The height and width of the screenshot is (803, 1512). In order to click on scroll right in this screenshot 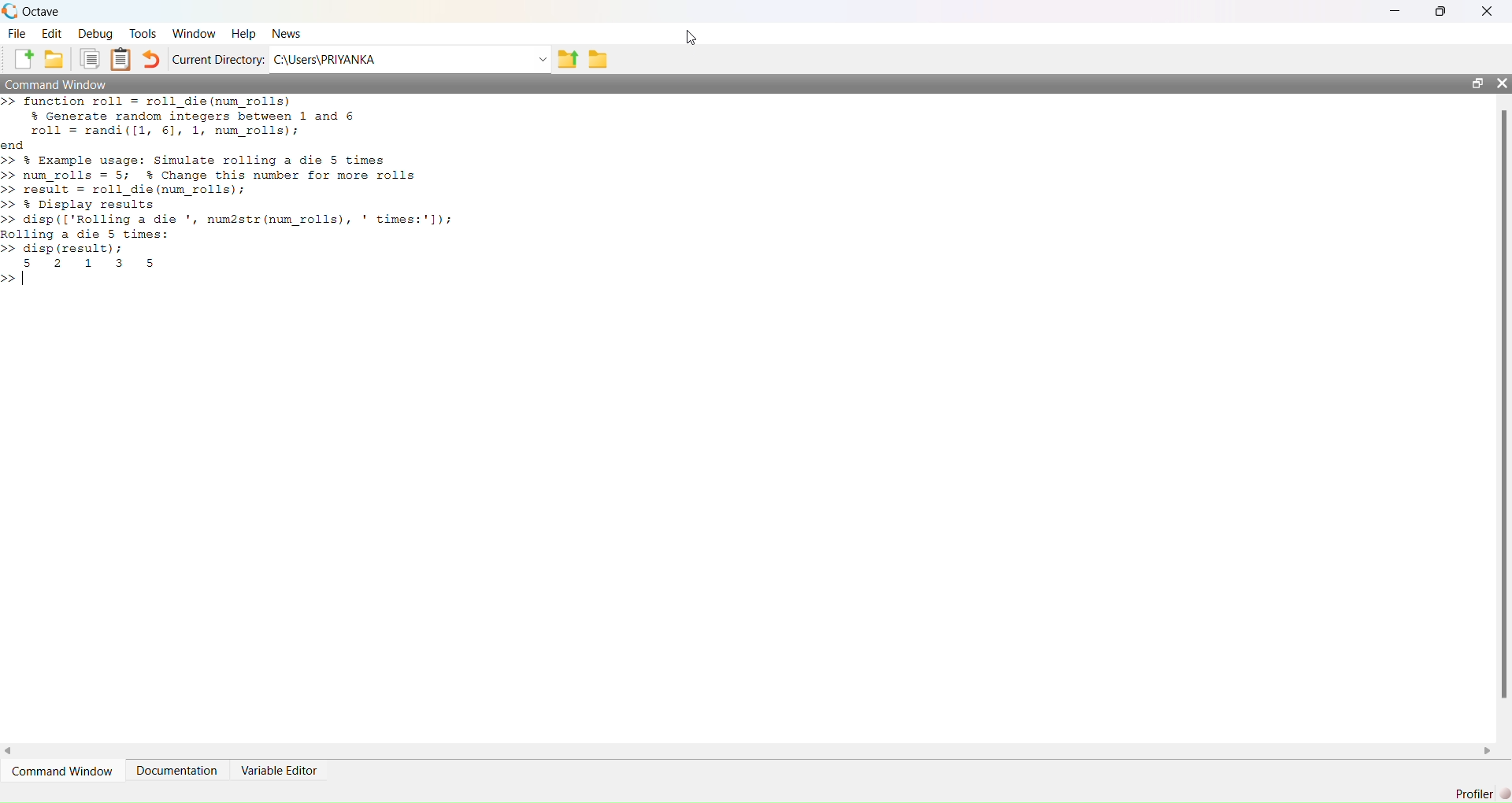, I will do `click(1488, 750)`.